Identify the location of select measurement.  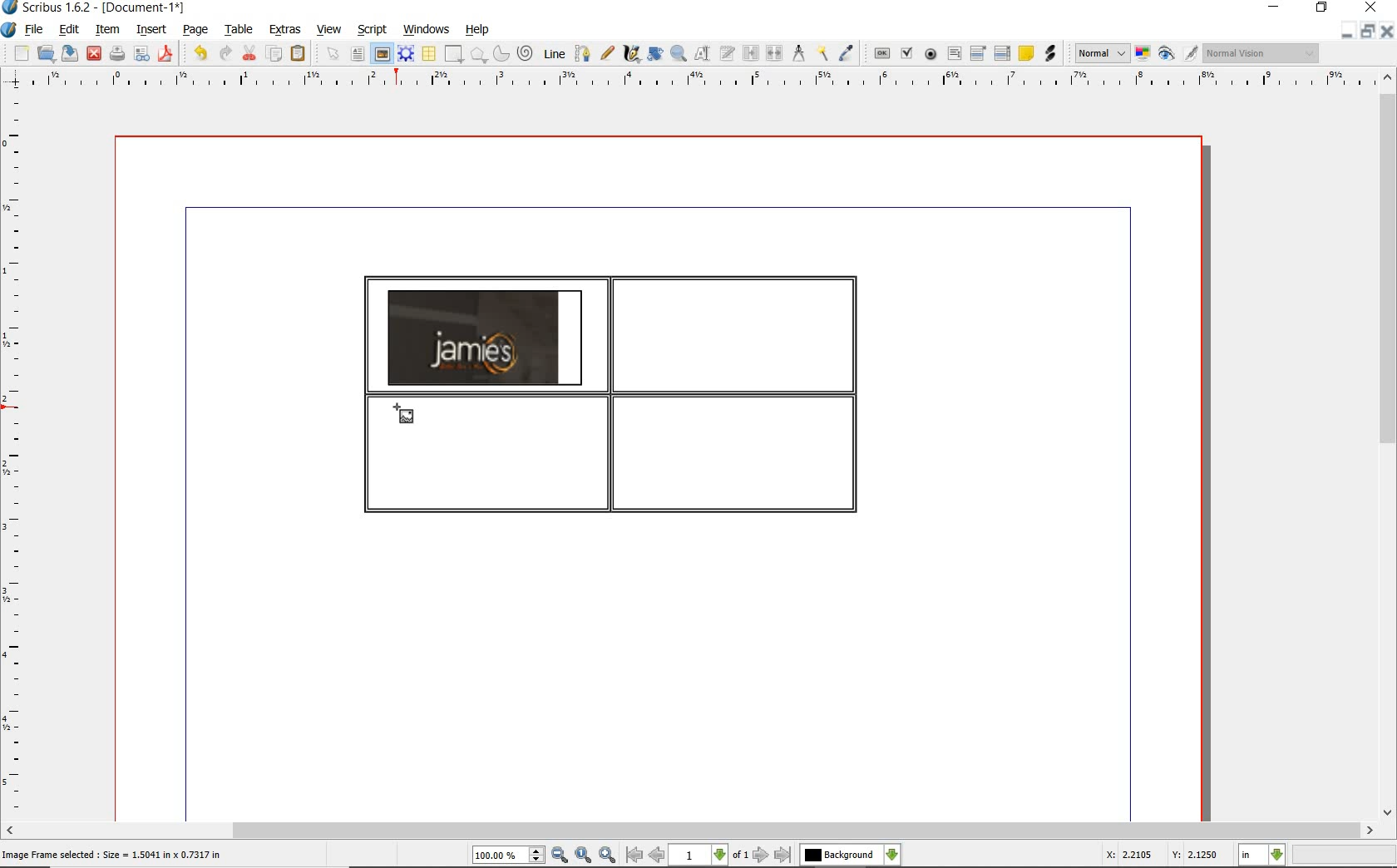
(1262, 855).